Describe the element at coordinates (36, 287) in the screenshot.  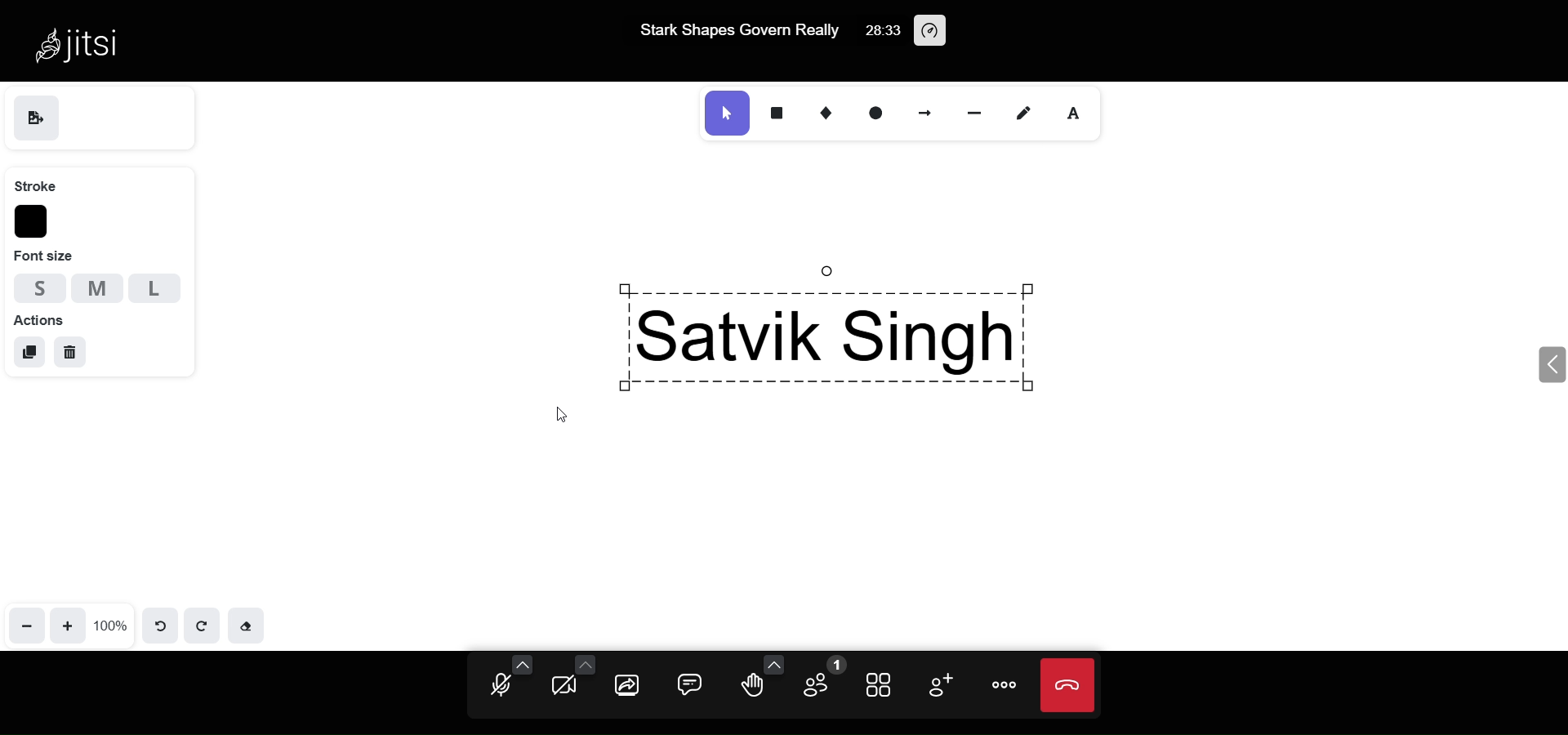
I see `small` at that location.